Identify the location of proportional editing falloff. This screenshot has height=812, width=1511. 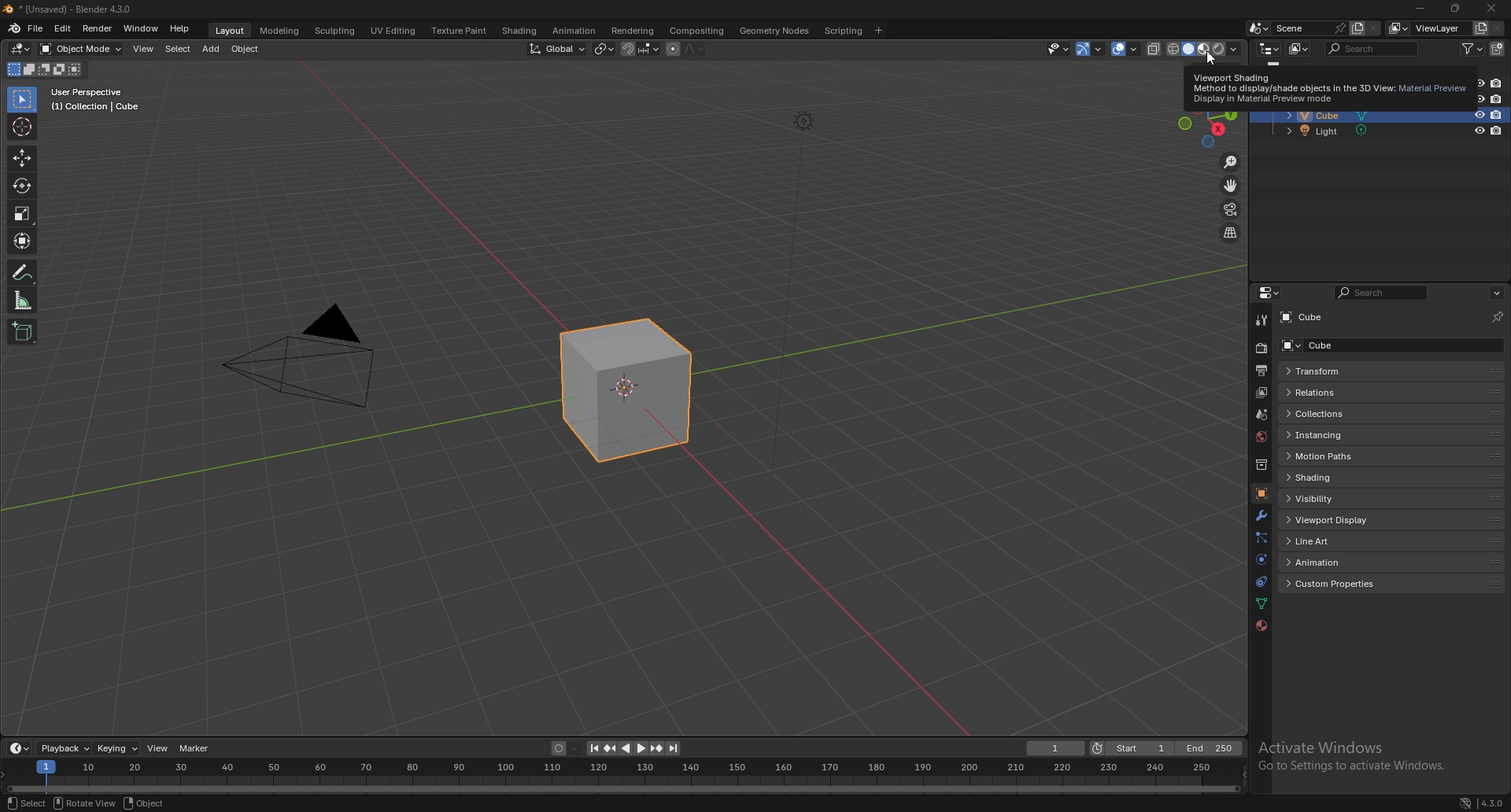
(693, 50).